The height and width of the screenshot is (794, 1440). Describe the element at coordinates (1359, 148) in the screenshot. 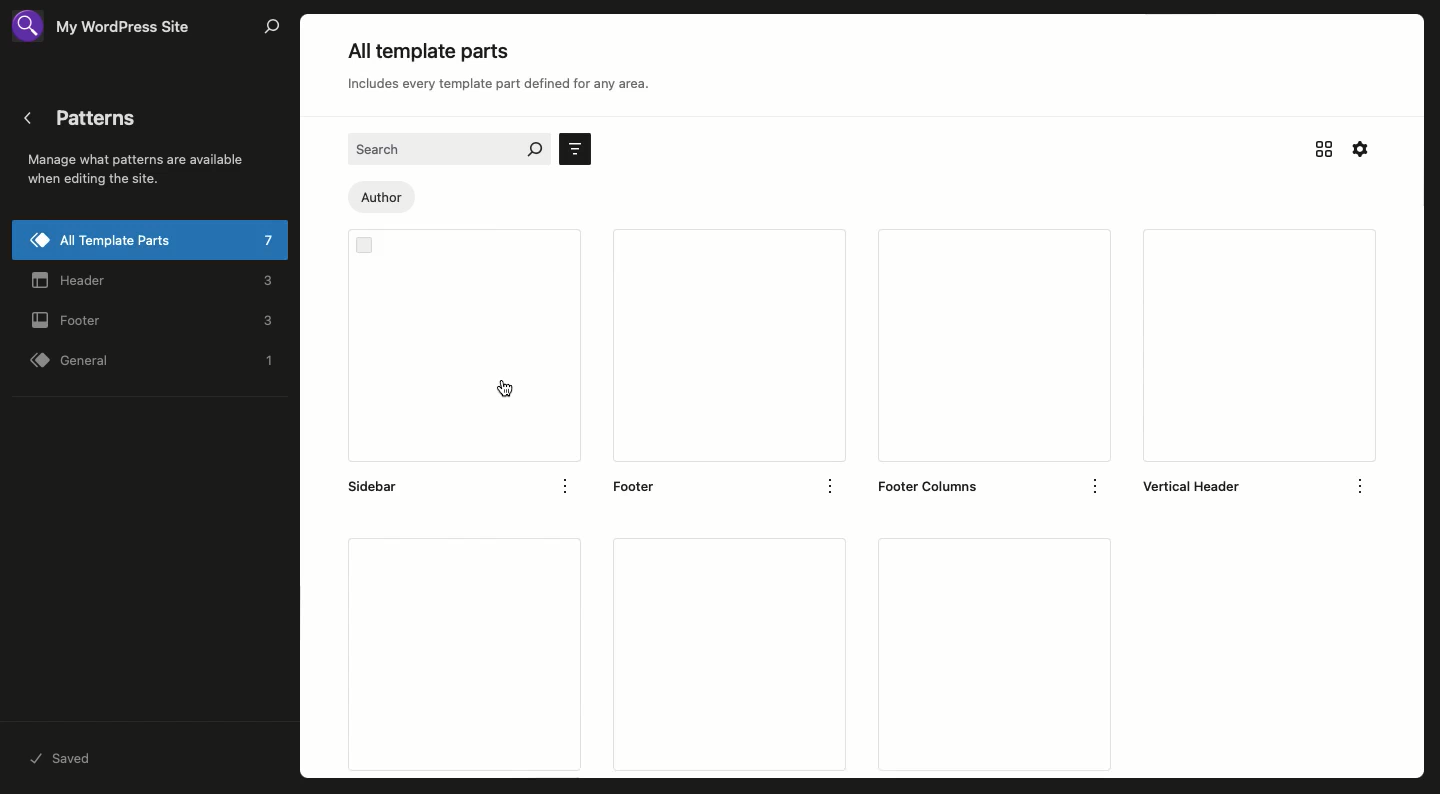

I see `Settings` at that location.